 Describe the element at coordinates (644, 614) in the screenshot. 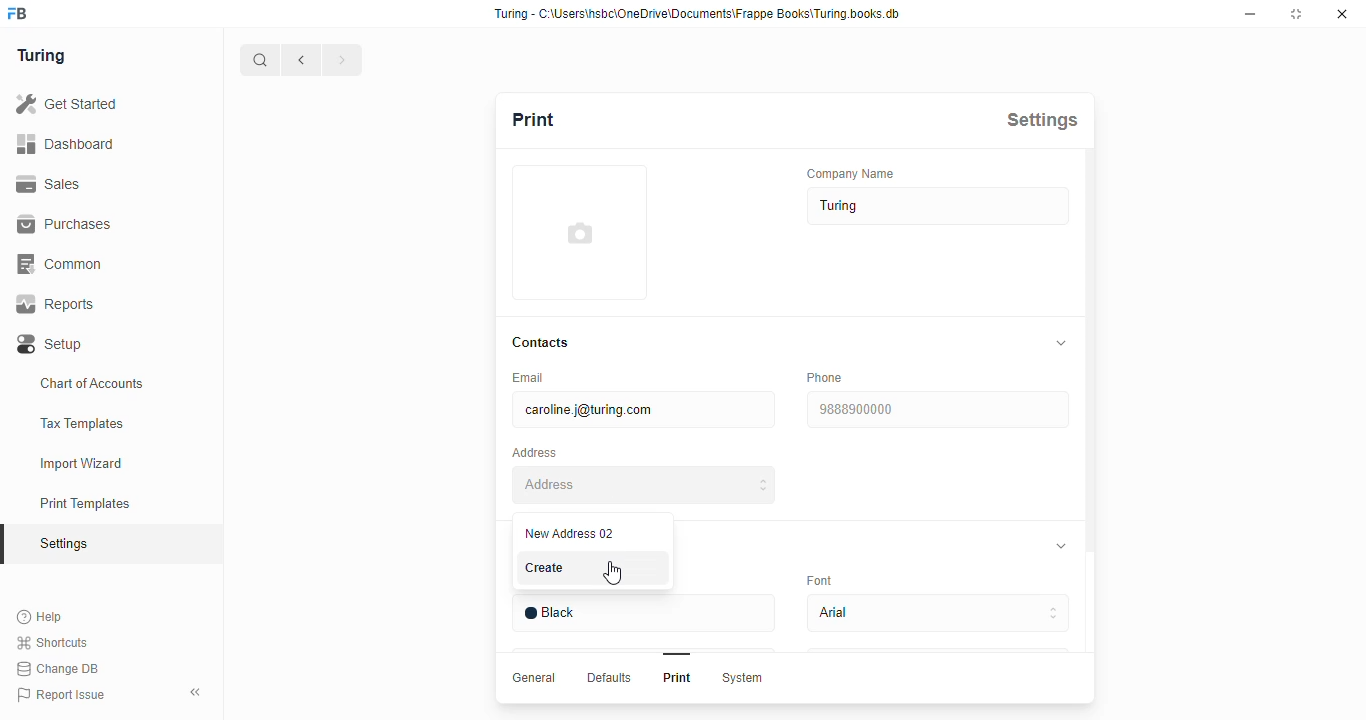

I see `black` at that location.